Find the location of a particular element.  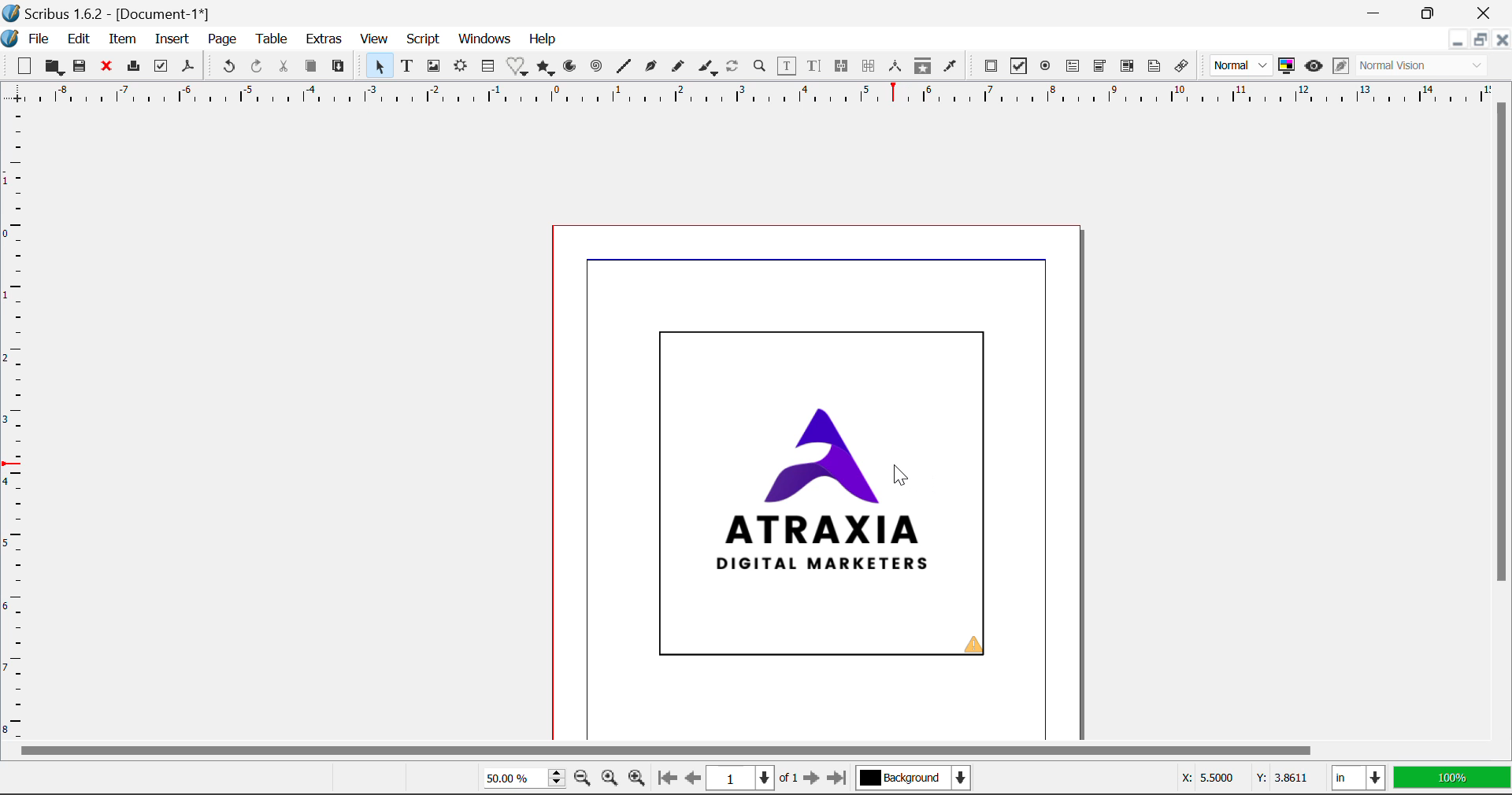

Toggle Color Management is located at coordinates (1286, 66).